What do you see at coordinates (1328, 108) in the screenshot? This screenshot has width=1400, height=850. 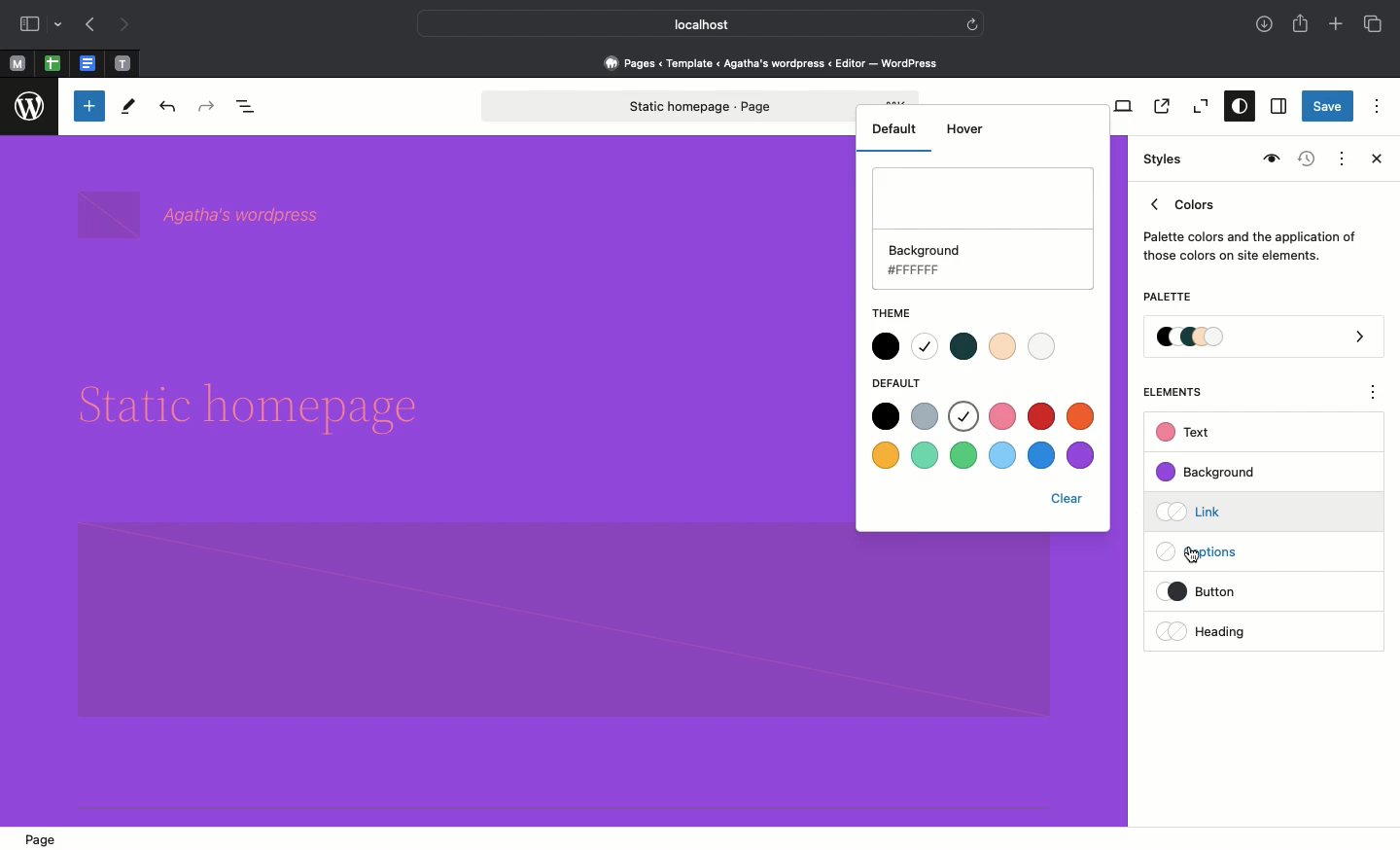 I see `Save` at bounding box center [1328, 108].